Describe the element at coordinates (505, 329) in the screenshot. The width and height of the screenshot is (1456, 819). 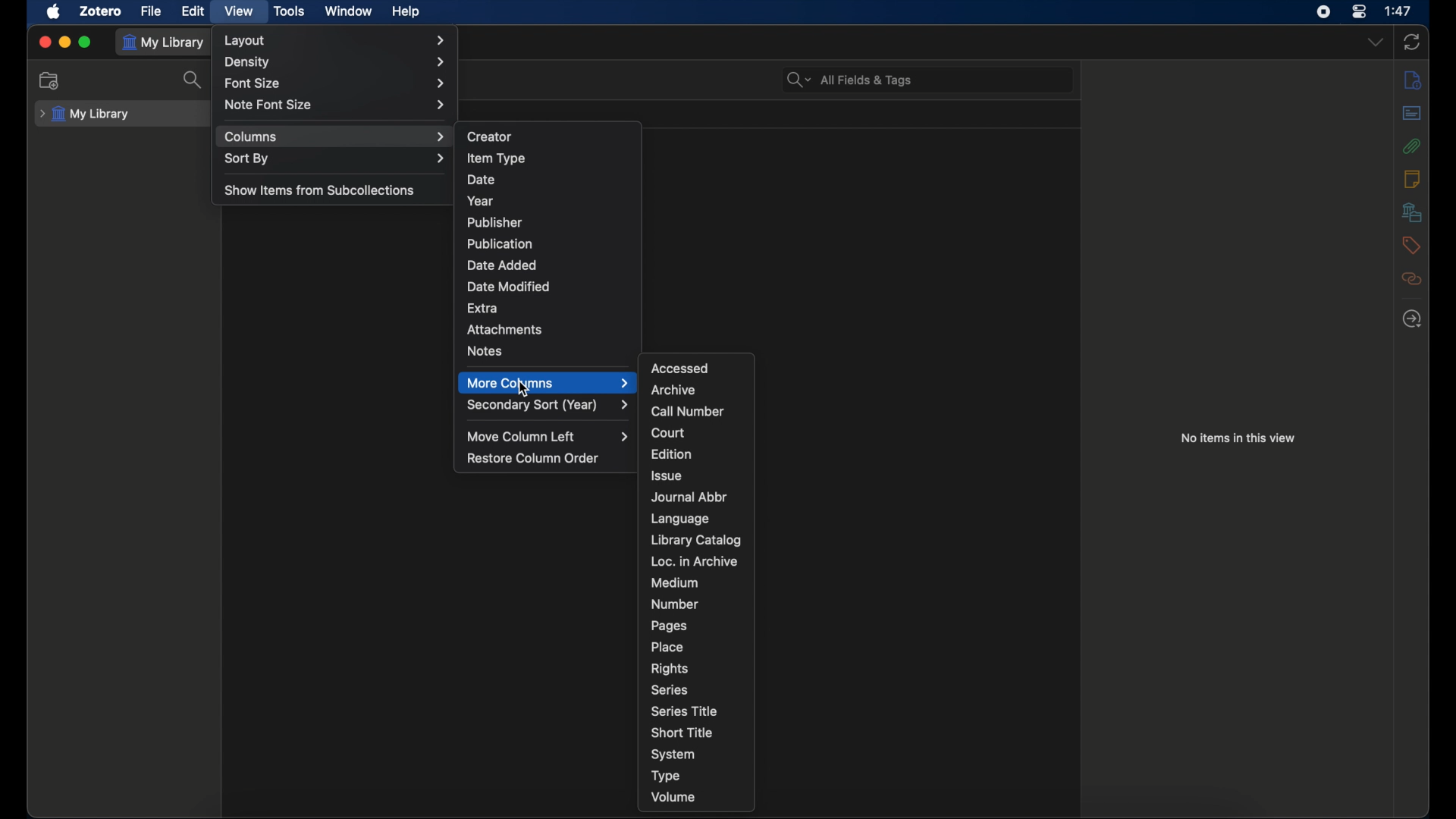
I see `attachments` at that location.